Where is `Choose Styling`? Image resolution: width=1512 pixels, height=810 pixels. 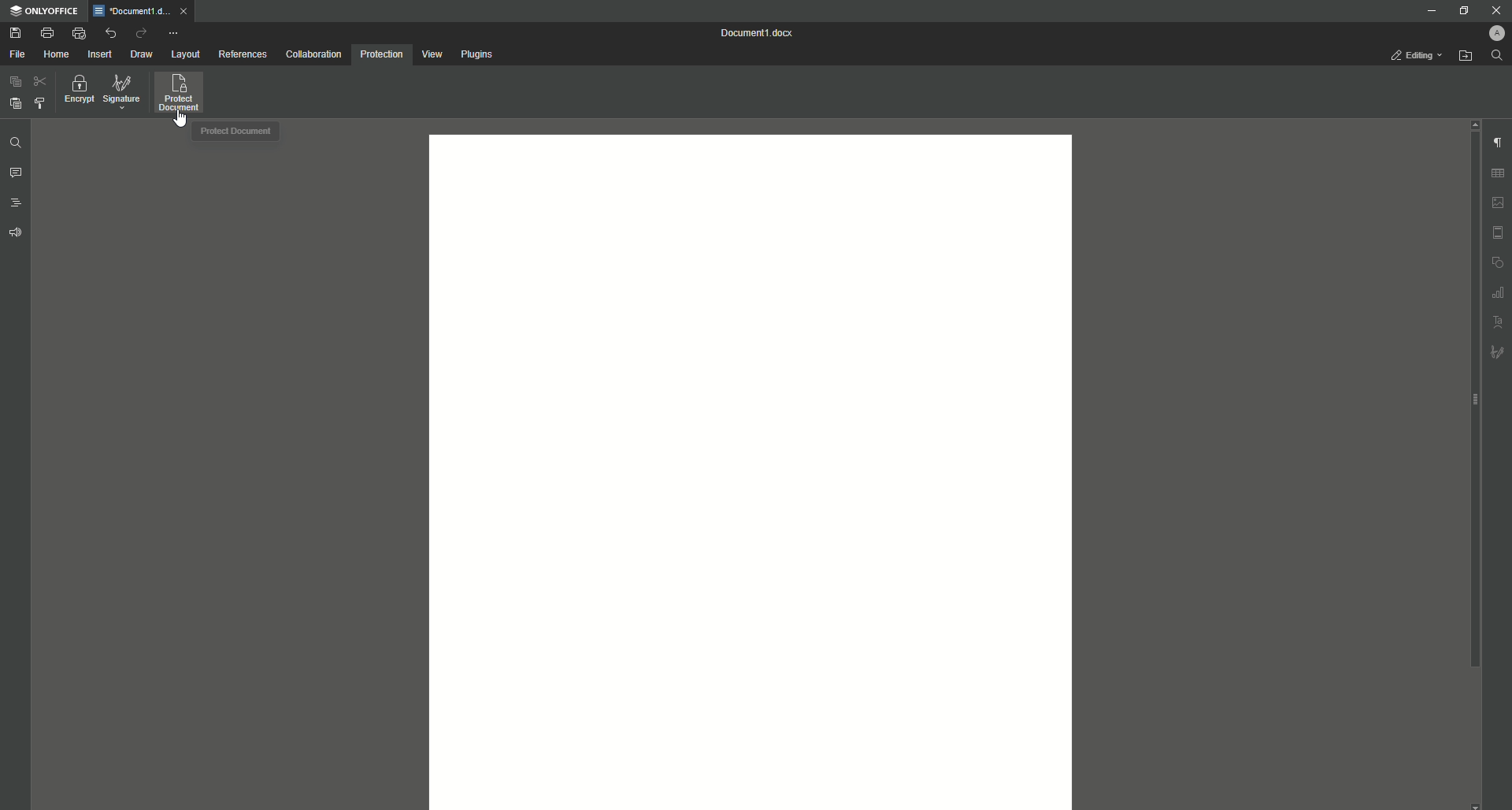 Choose Styling is located at coordinates (40, 102).